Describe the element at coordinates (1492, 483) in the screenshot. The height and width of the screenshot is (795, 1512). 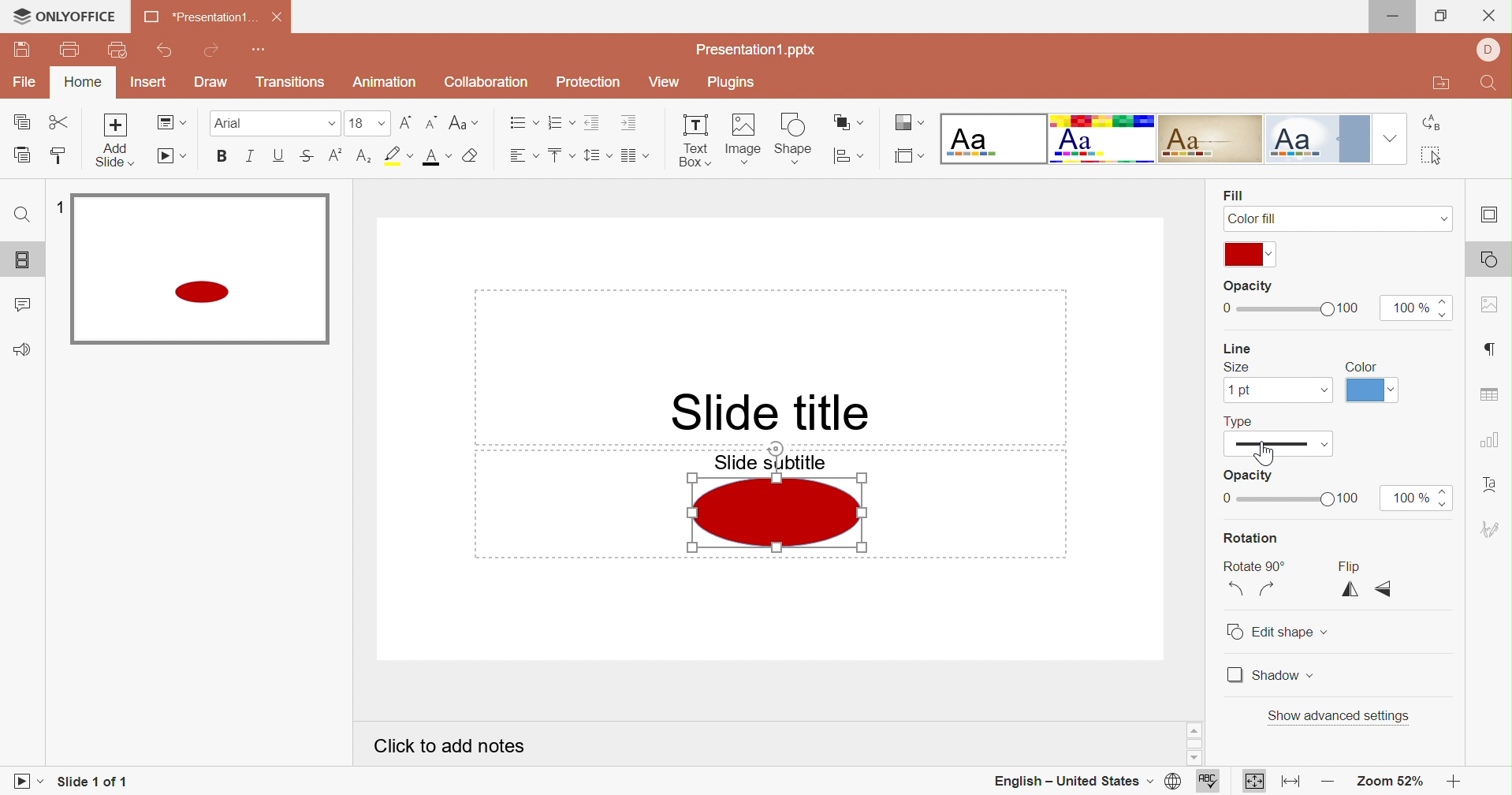
I see `Text art settings` at that location.